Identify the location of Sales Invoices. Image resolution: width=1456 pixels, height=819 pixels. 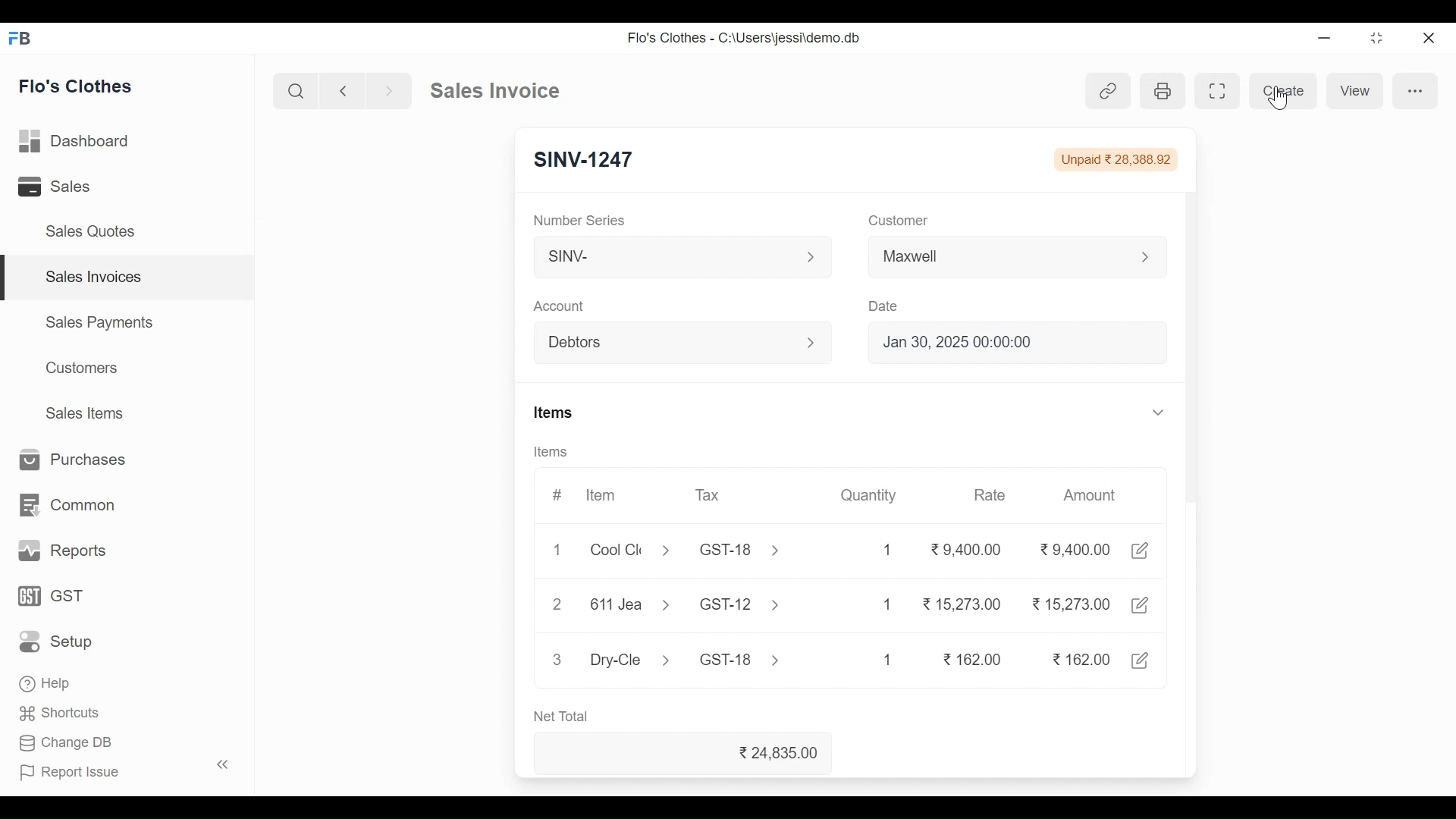
(129, 278).